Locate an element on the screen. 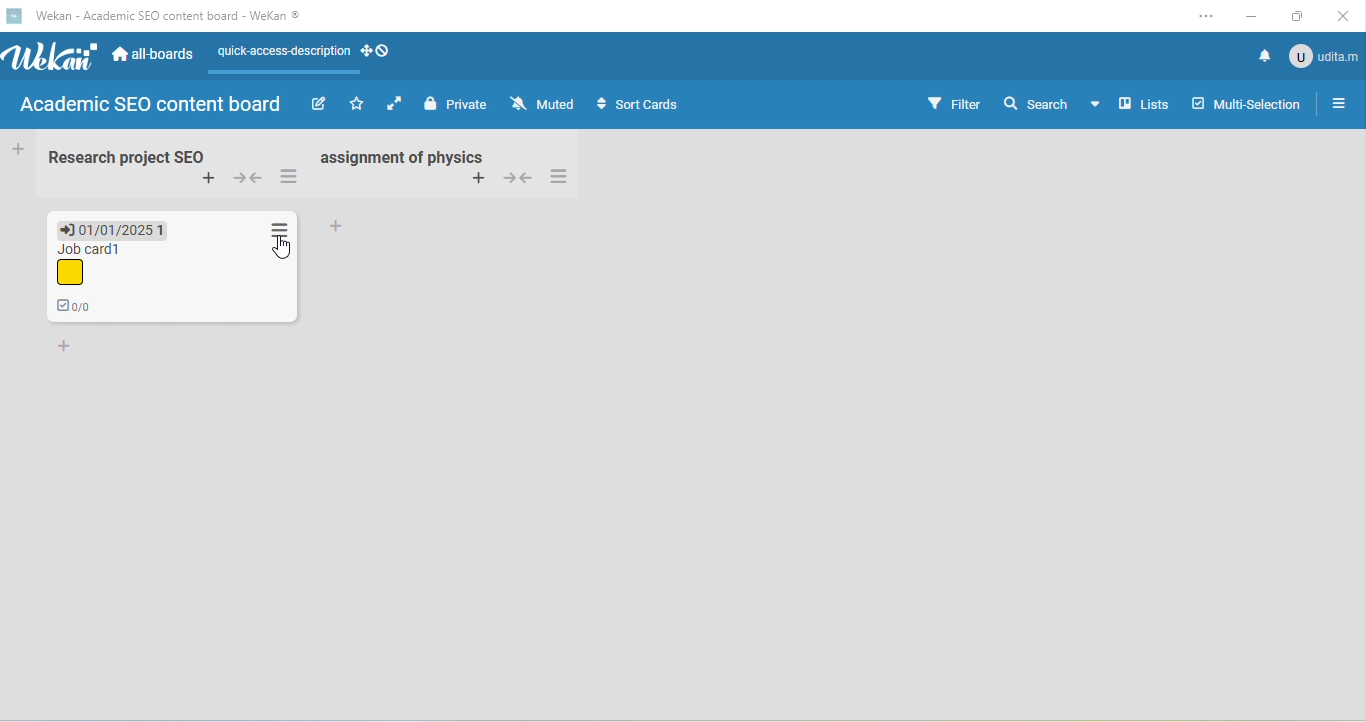  add is located at coordinates (65, 347).